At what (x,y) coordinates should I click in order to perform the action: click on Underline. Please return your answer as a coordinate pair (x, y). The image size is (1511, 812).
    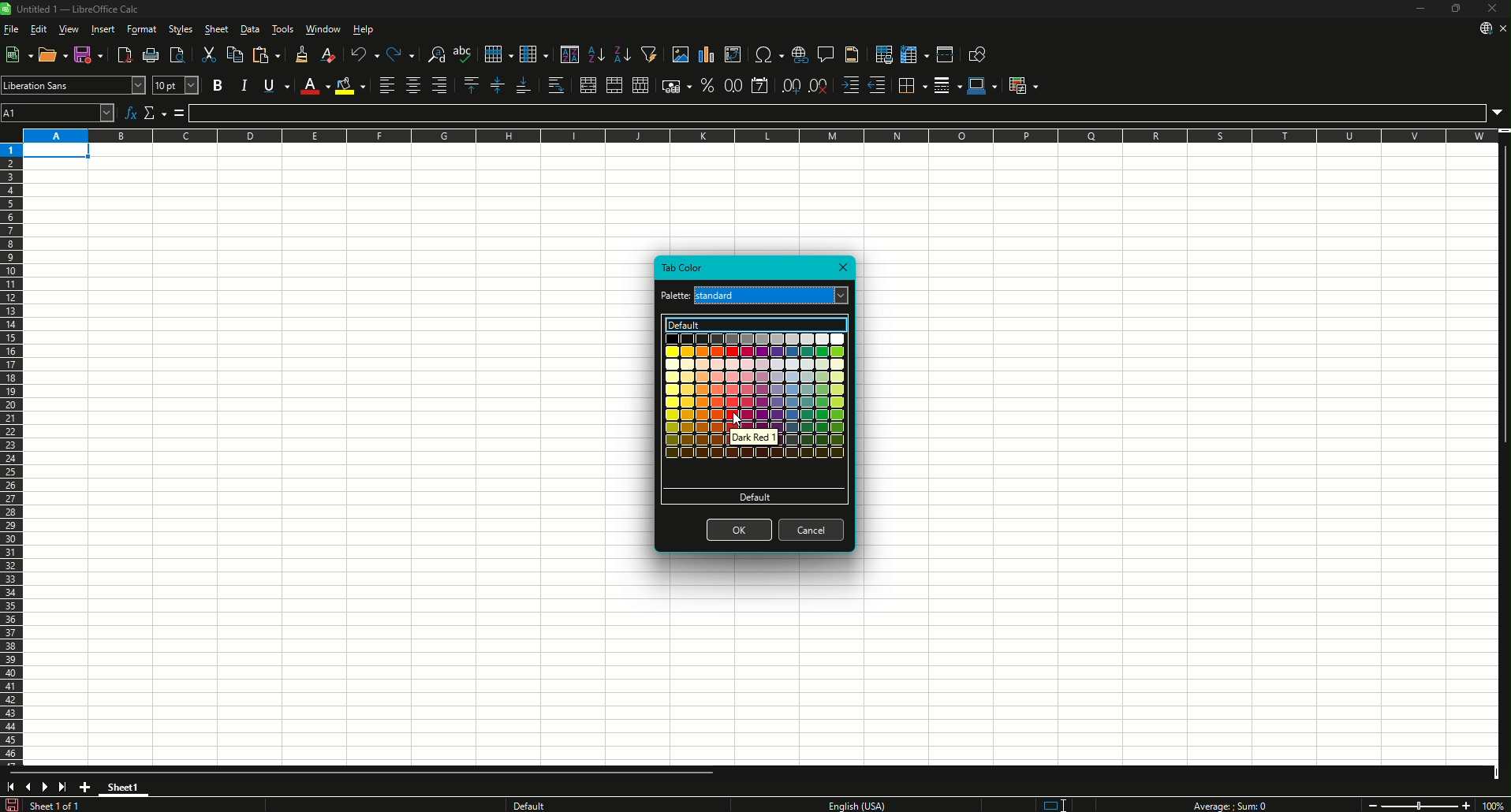
    Looking at the image, I should click on (277, 85).